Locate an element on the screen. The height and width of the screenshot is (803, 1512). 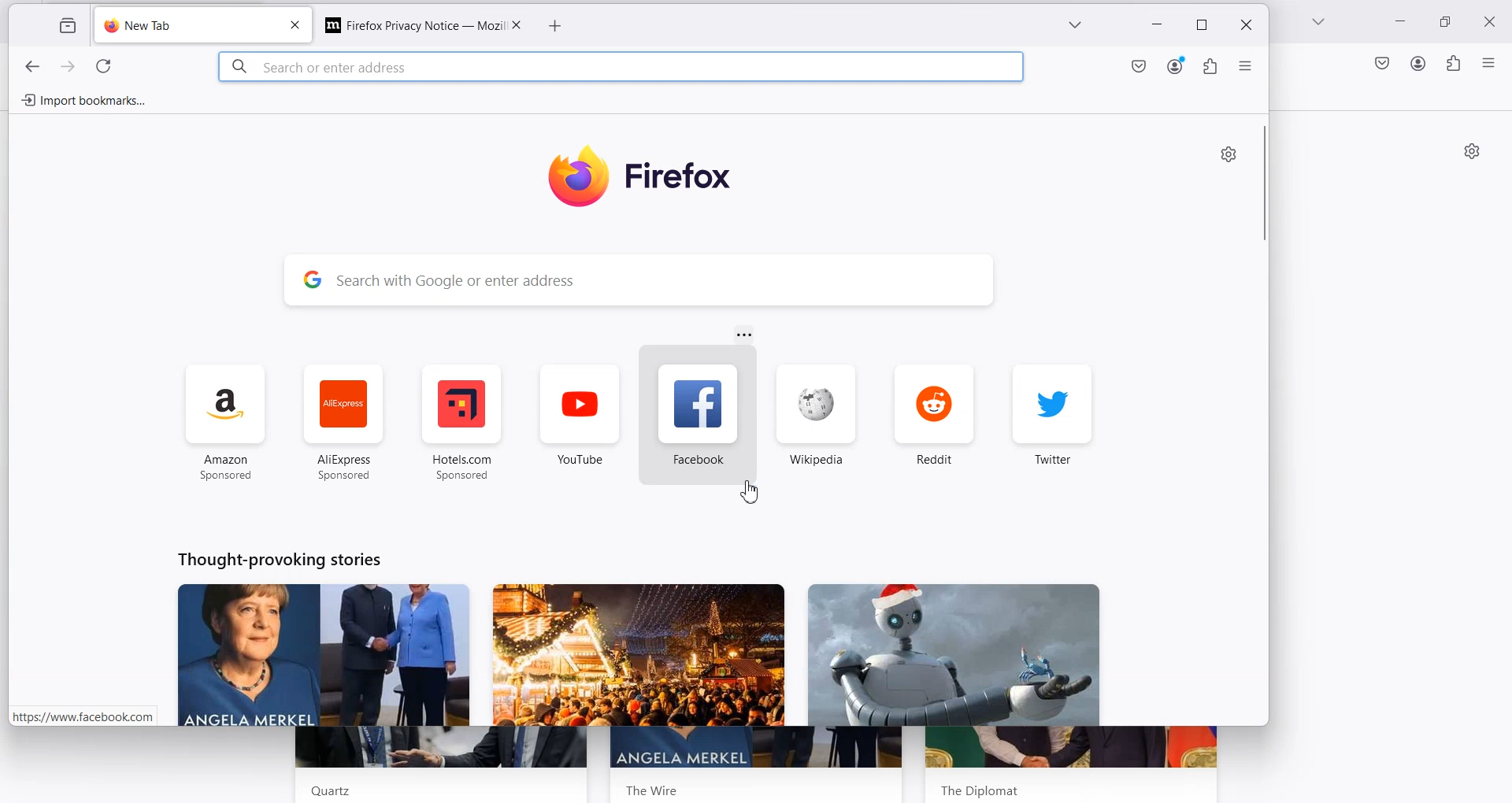
save to pocket is located at coordinates (1139, 69).